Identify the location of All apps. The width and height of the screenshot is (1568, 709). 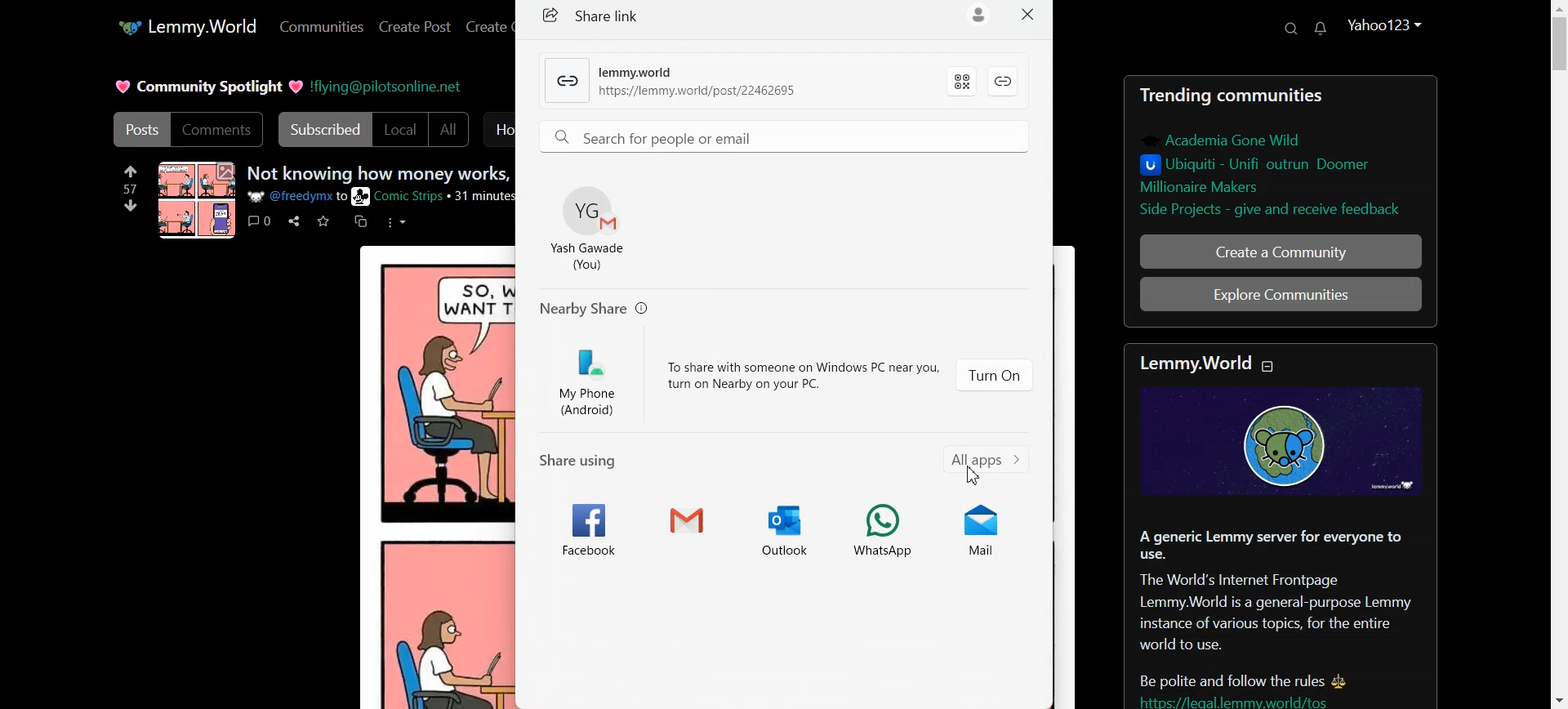
(989, 465).